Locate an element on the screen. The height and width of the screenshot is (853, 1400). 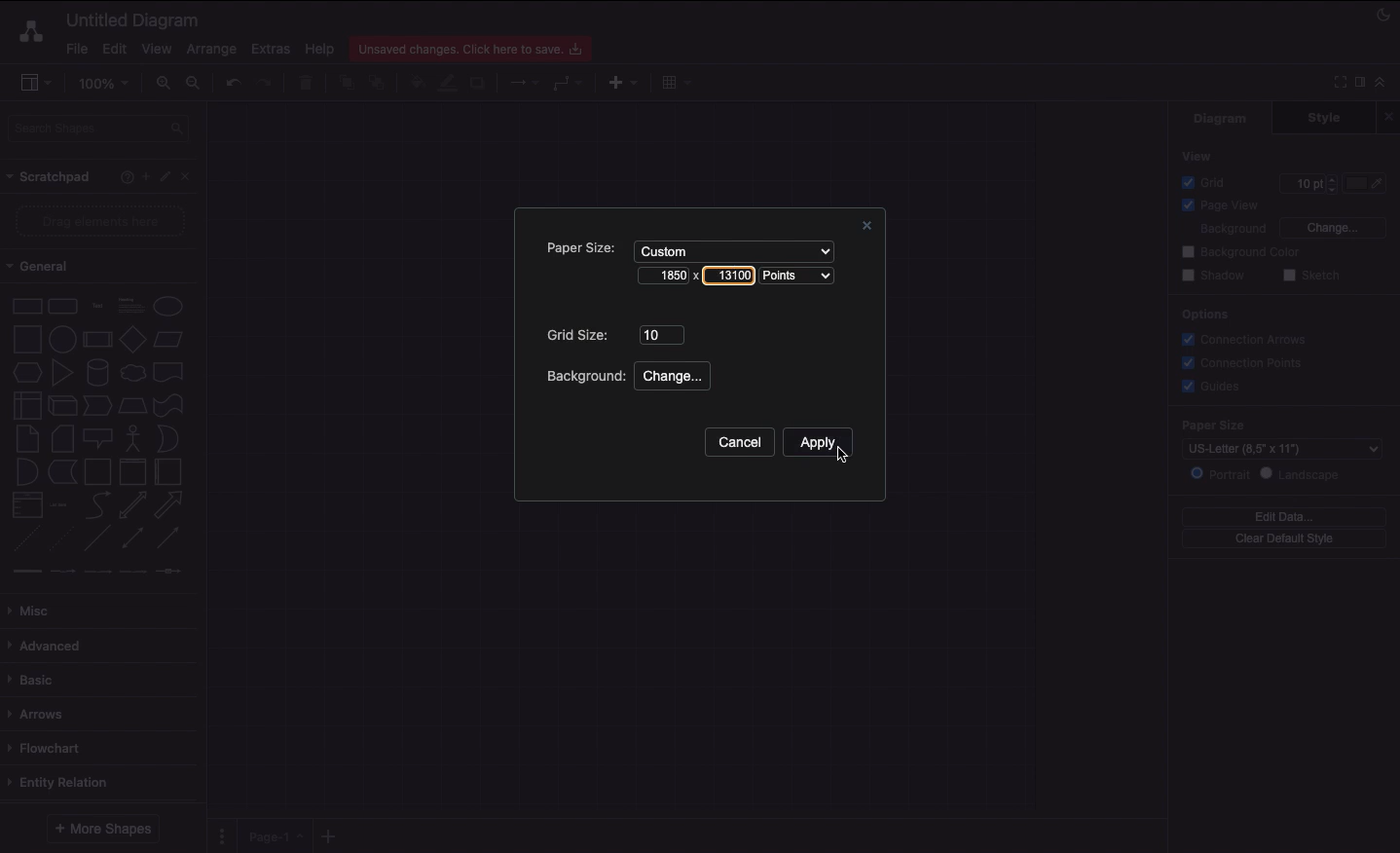
Diamond is located at coordinates (132, 340).